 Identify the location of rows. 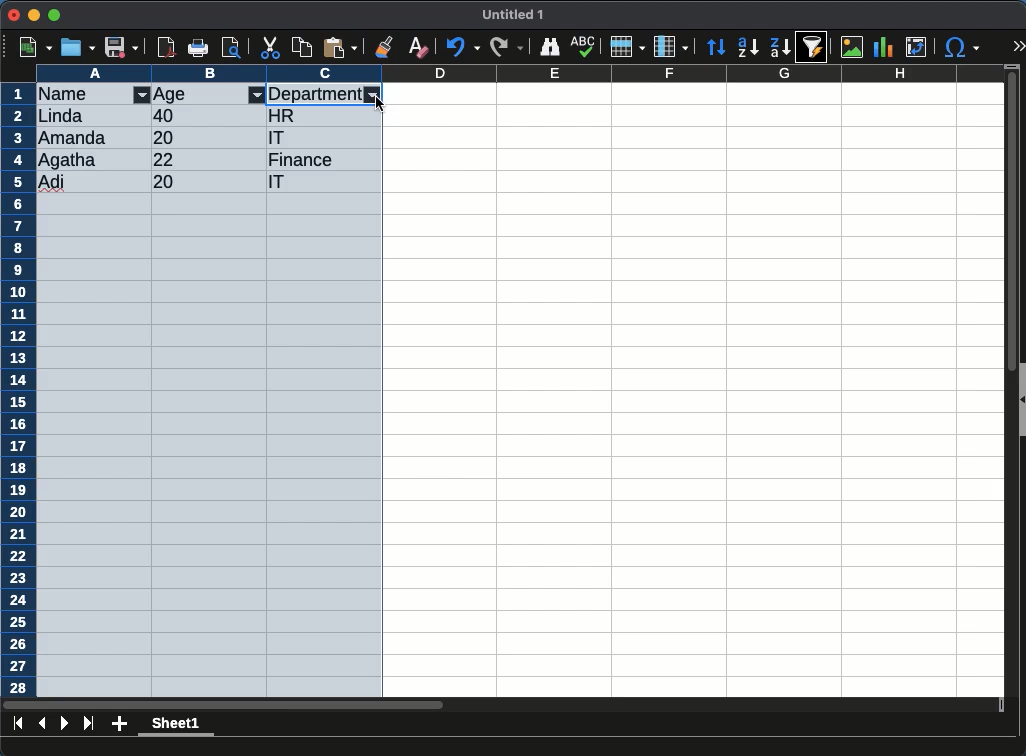
(626, 47).